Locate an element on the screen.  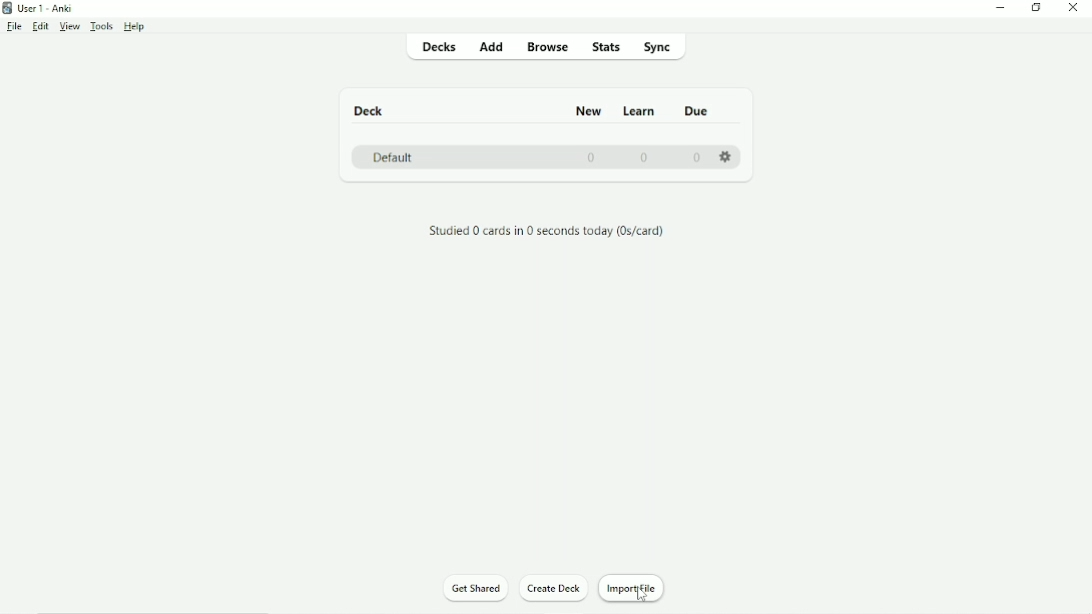
0 is located at coordinates (698, 157).